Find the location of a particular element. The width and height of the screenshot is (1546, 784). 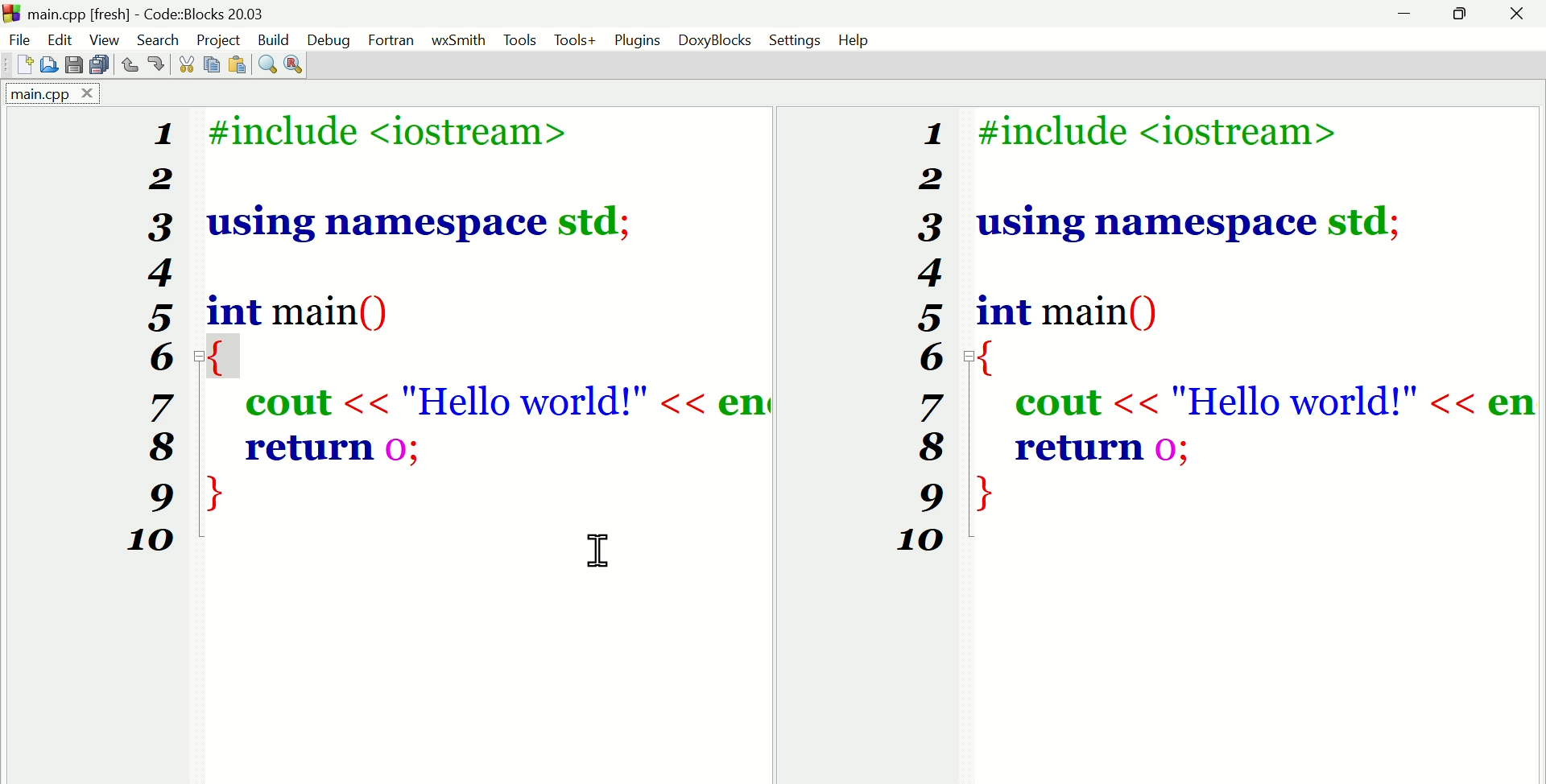

Search is located at coordinates (159, 36).